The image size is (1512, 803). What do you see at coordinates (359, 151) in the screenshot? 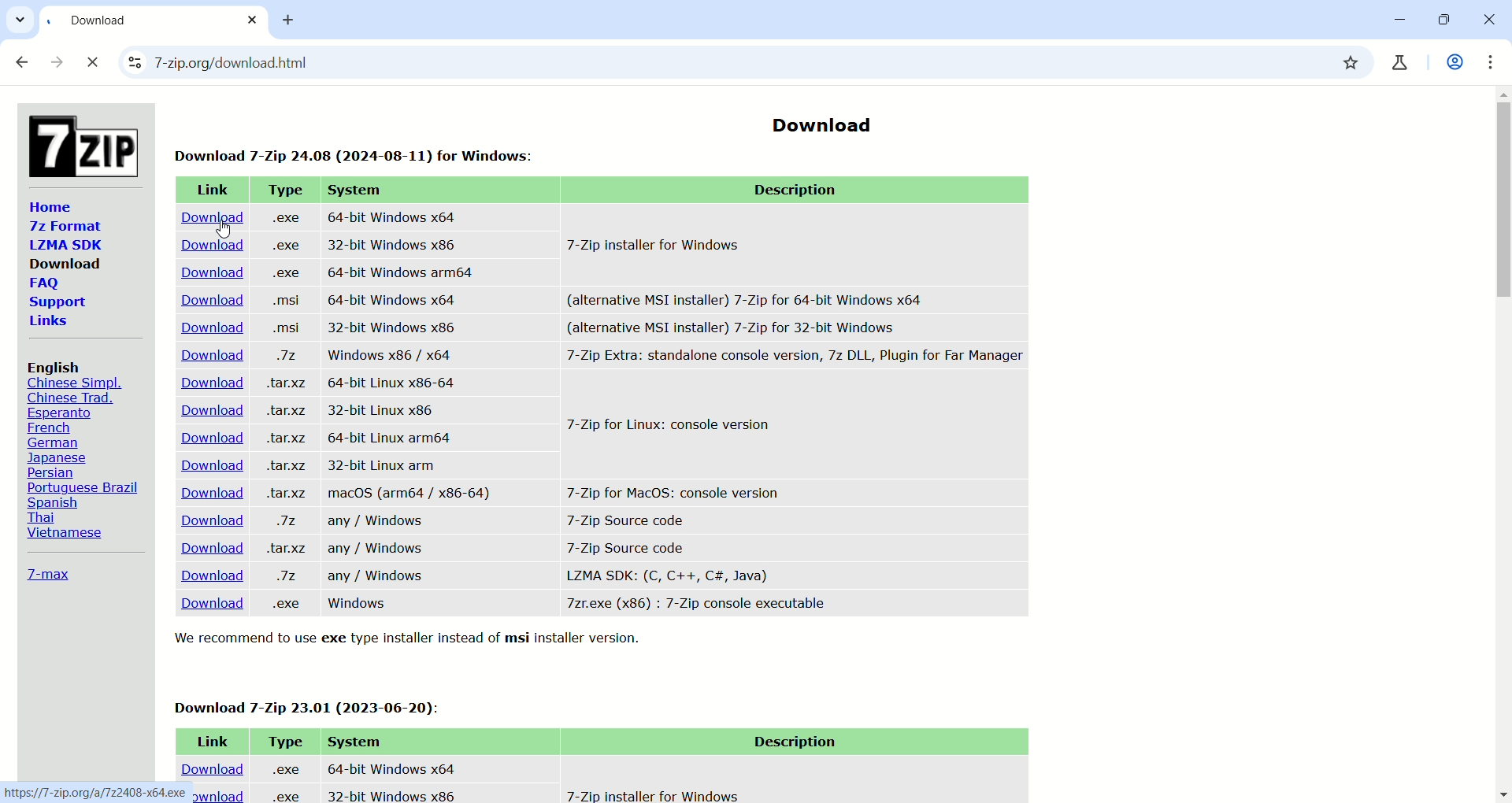
I see `Download 7-Zip 24.08 (2024-08-11) for Windows:` at bounding box center [359, 151].